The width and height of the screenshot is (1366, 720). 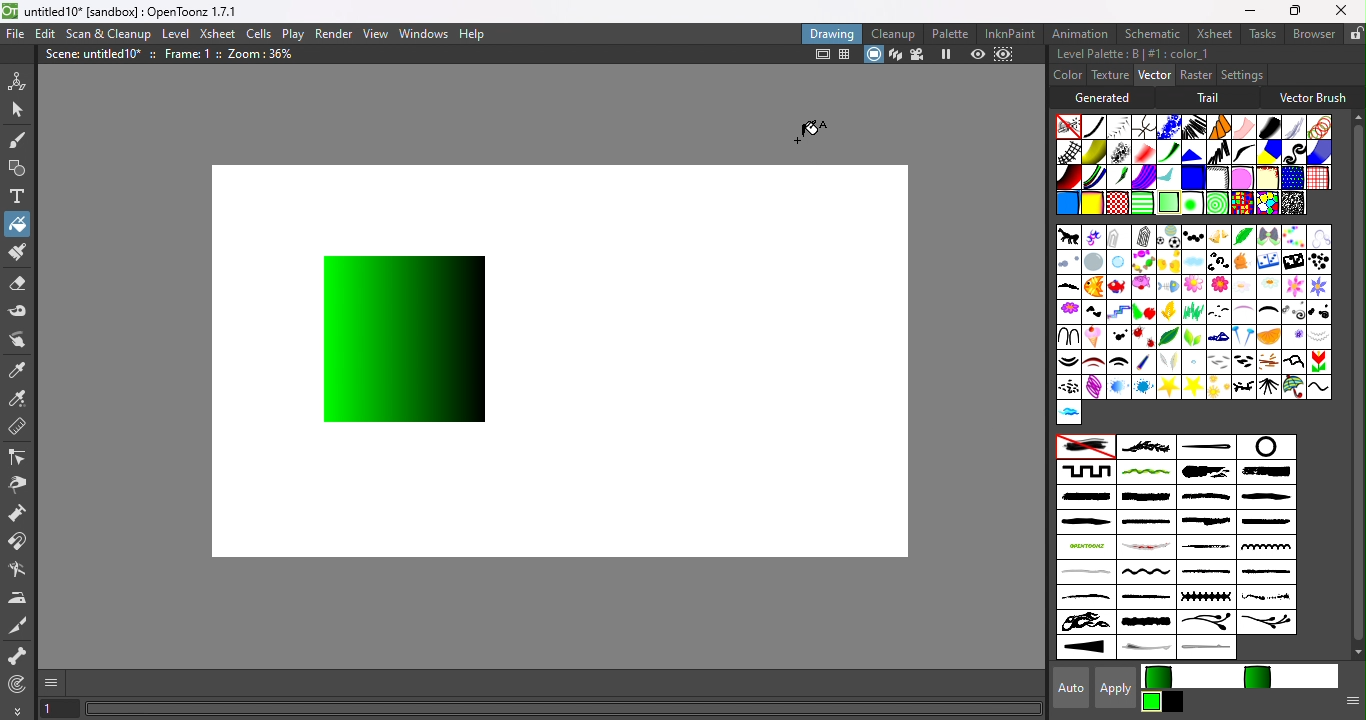 What do you see at coordinates (1272, 337) in the screenshot?
I see `Orange` at bounding box center [1272, 337].